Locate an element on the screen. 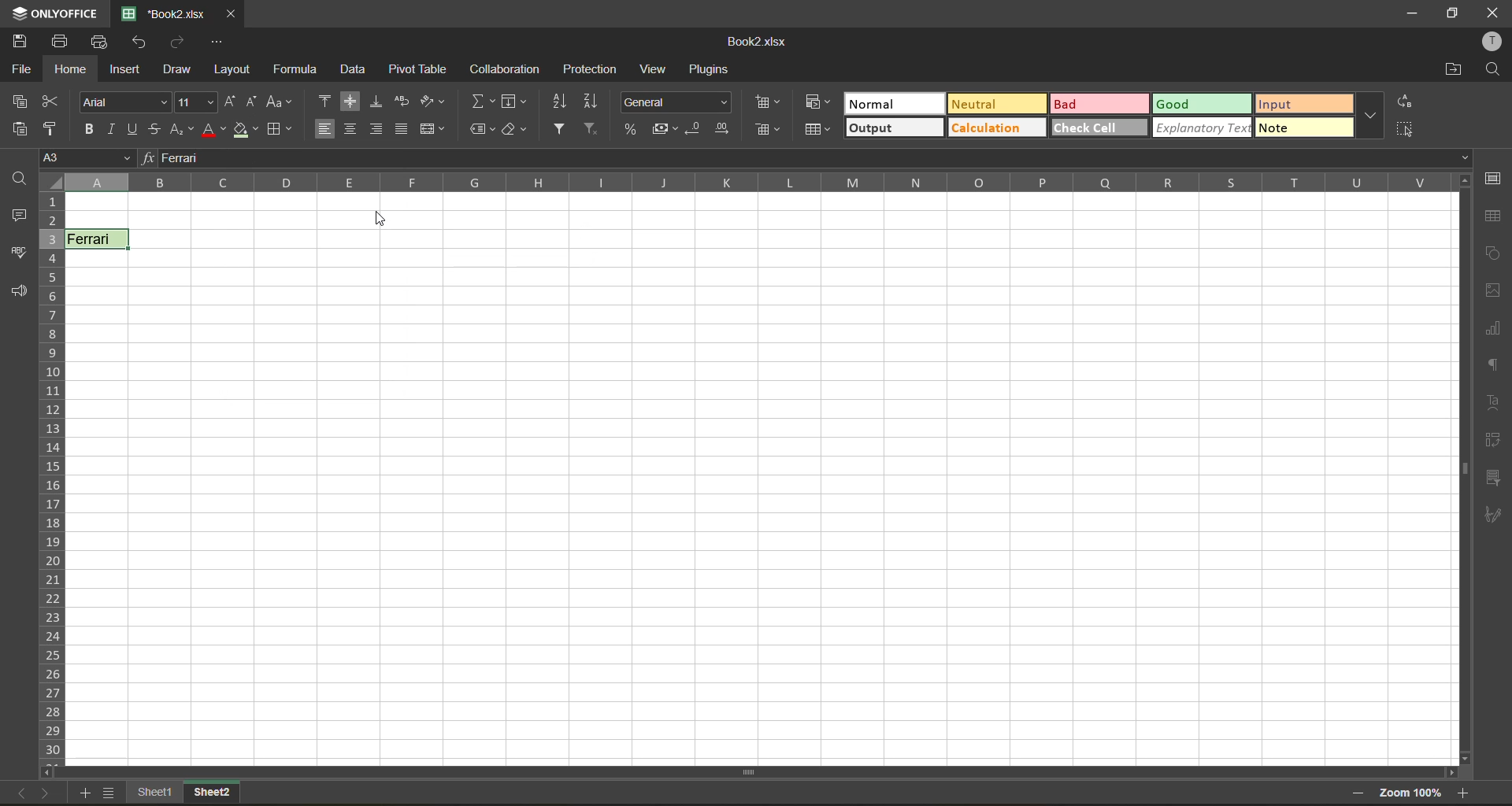 This screenshot has height=806, width=1512. close is located at coordinates (1491, 13).